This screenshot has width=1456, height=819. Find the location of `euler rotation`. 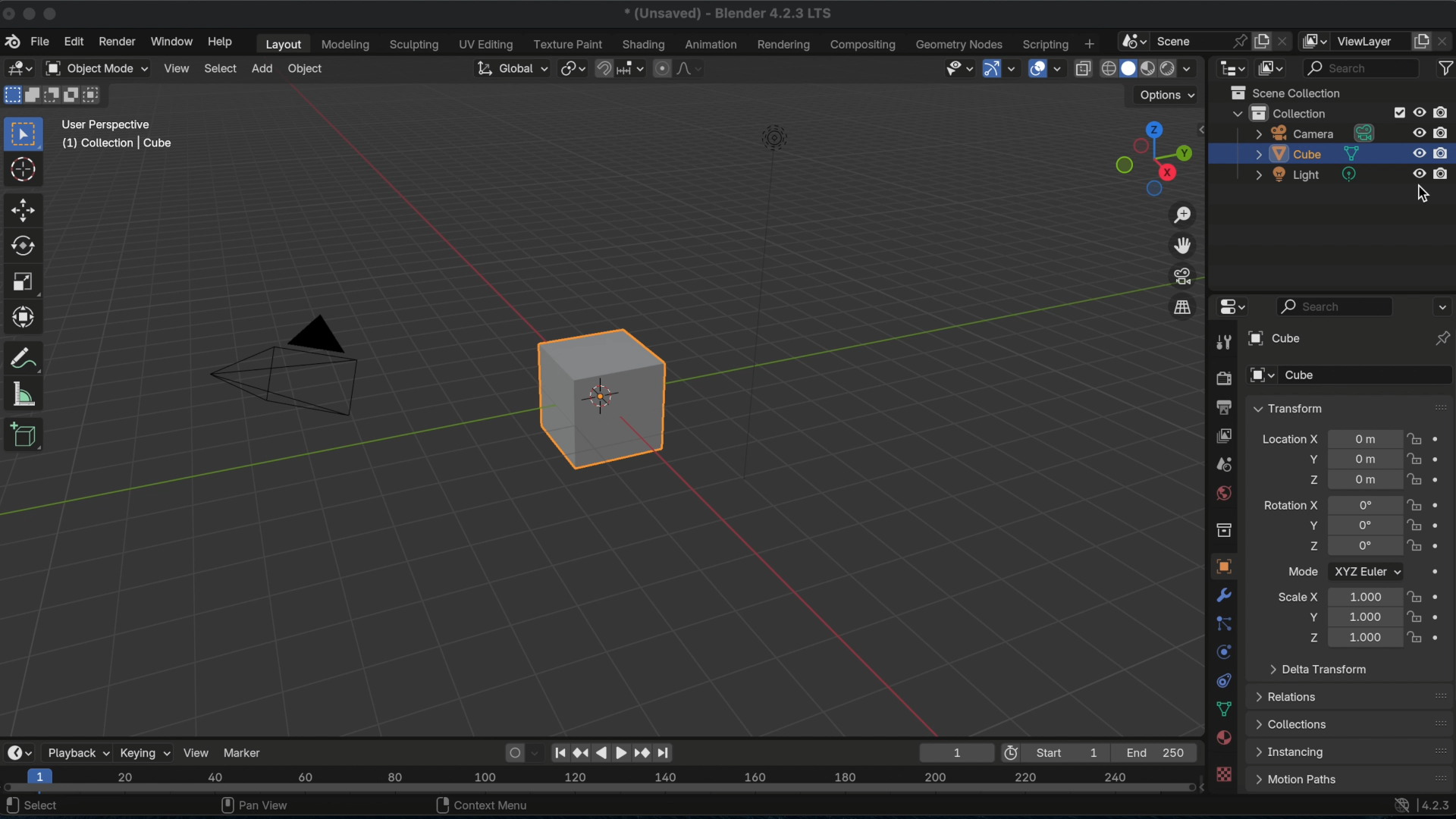

euler rotation is located at coordinates (1364, 547).